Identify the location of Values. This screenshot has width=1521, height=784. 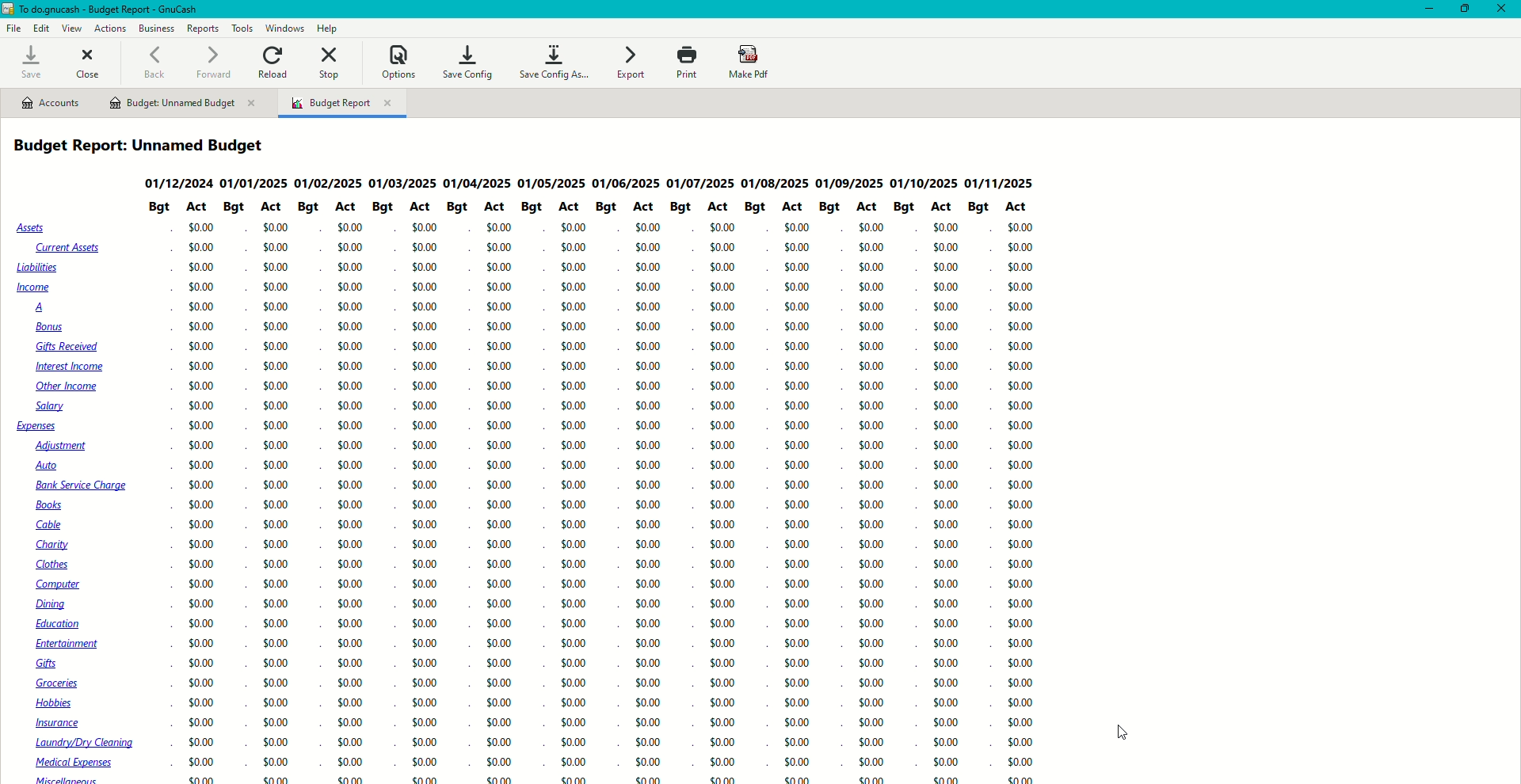
(611, 503).